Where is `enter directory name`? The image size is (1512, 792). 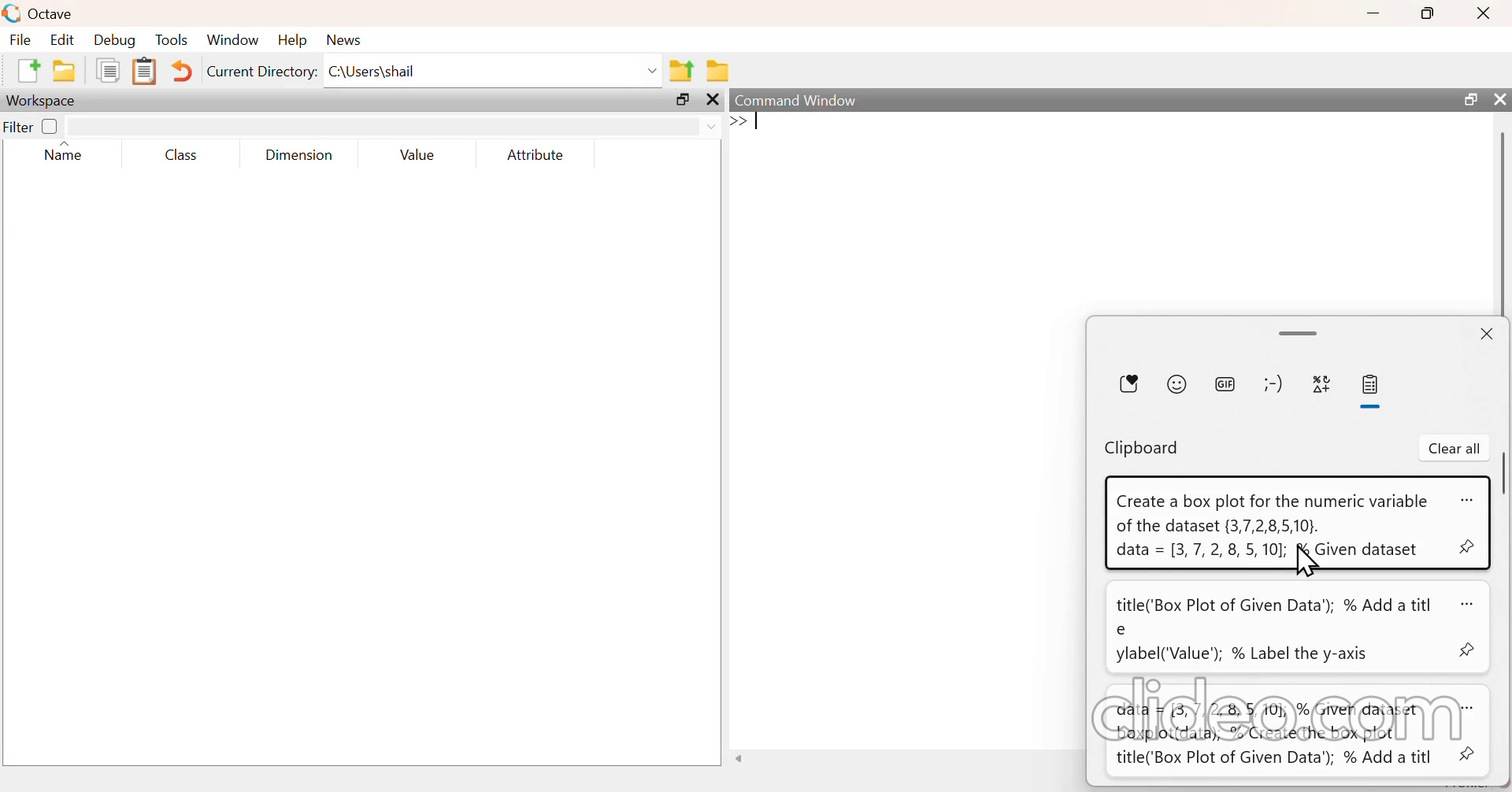 enter directory name is located at coordinates (491, 72).